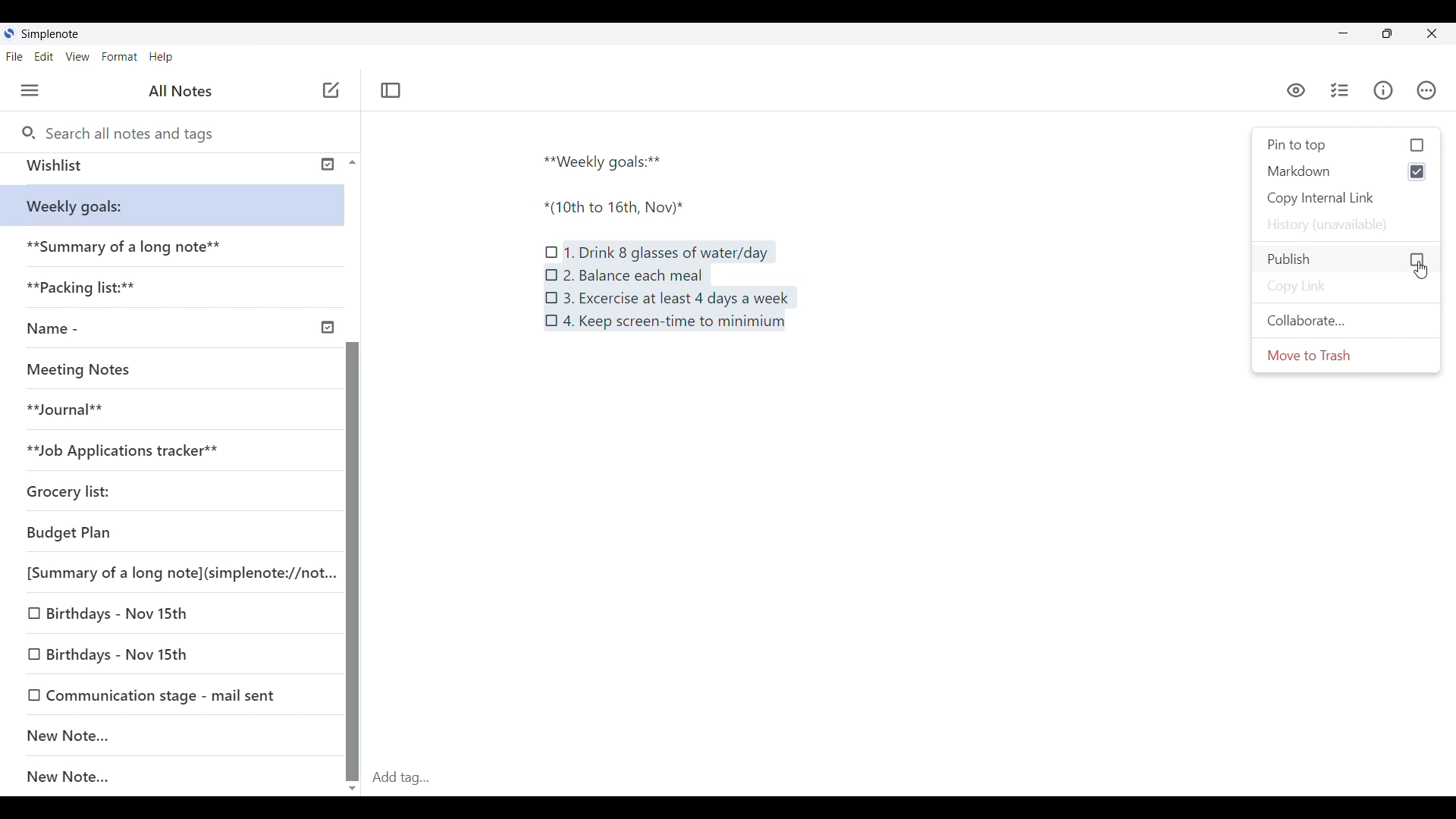 This screenshot has width=1456, height=819. Describe the element at coordinates (552, 296) in the screenshot. I see `Checklist icon` at that location.